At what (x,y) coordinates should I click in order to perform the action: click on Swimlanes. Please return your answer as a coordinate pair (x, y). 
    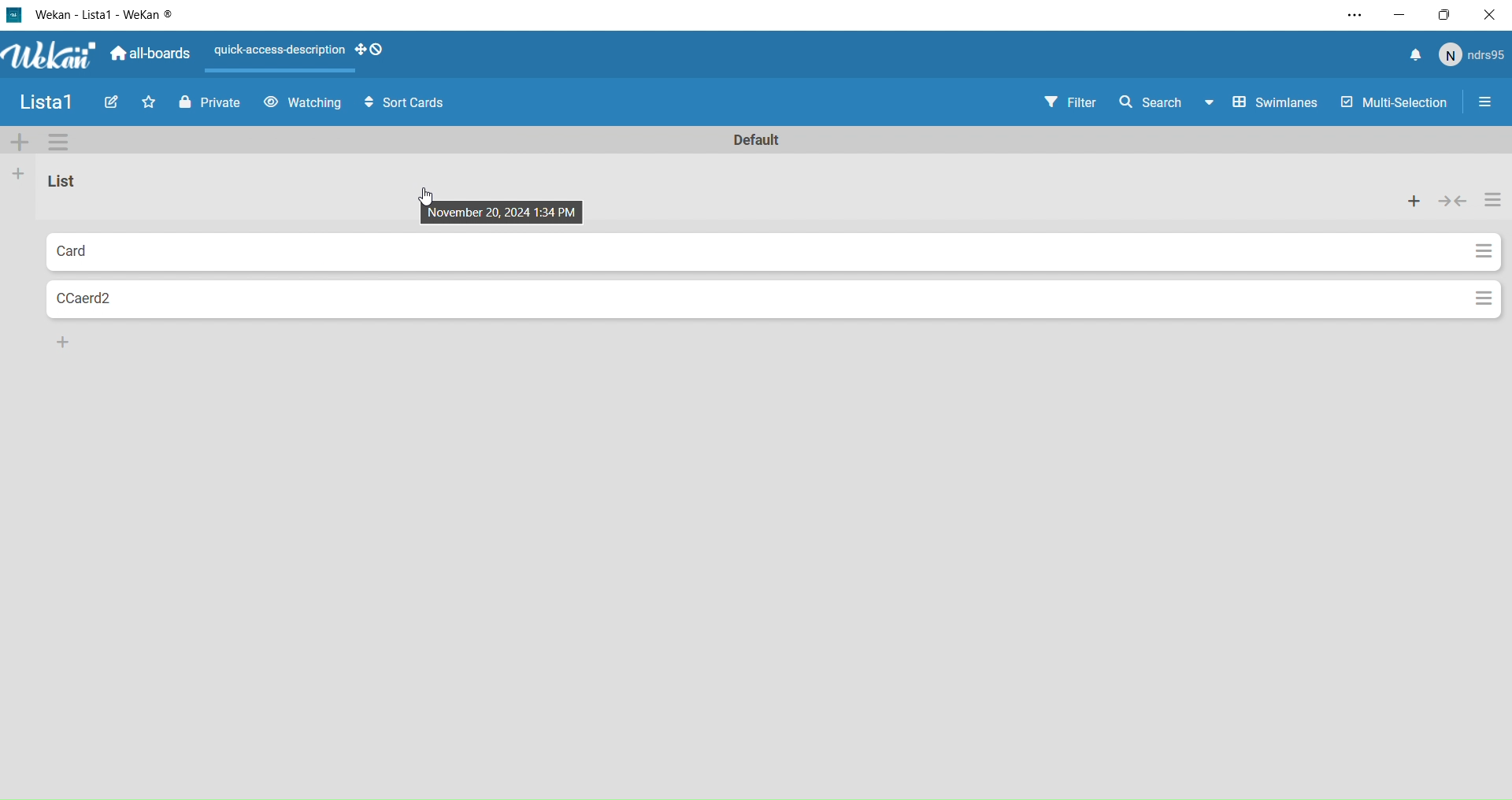
    Looking at the image, I should click on (1271, 103).